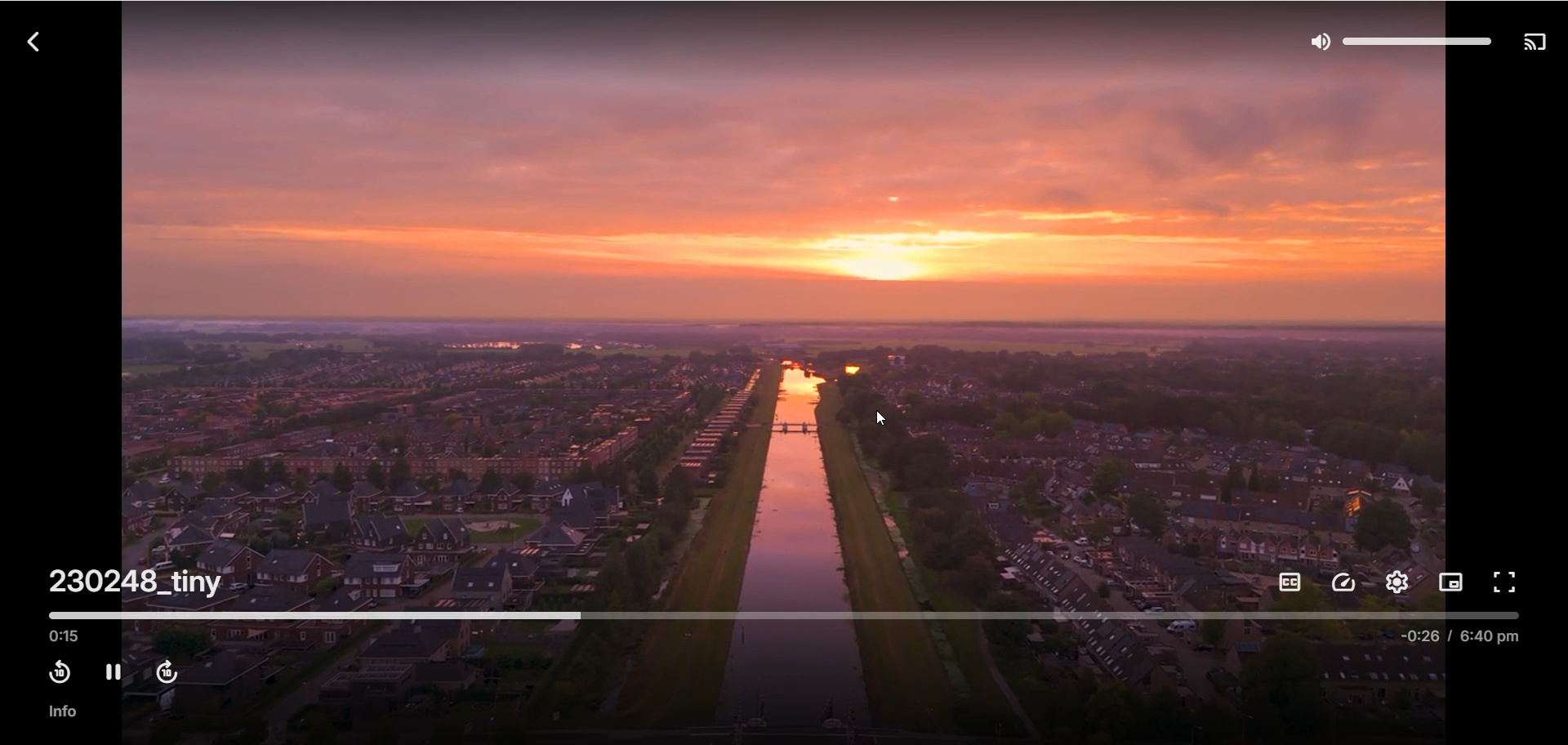 The image size is (1568, 745). What do you see at coordinates (109, 670) in the screenshot?
I see `pause` at bounding box center [109, 670].